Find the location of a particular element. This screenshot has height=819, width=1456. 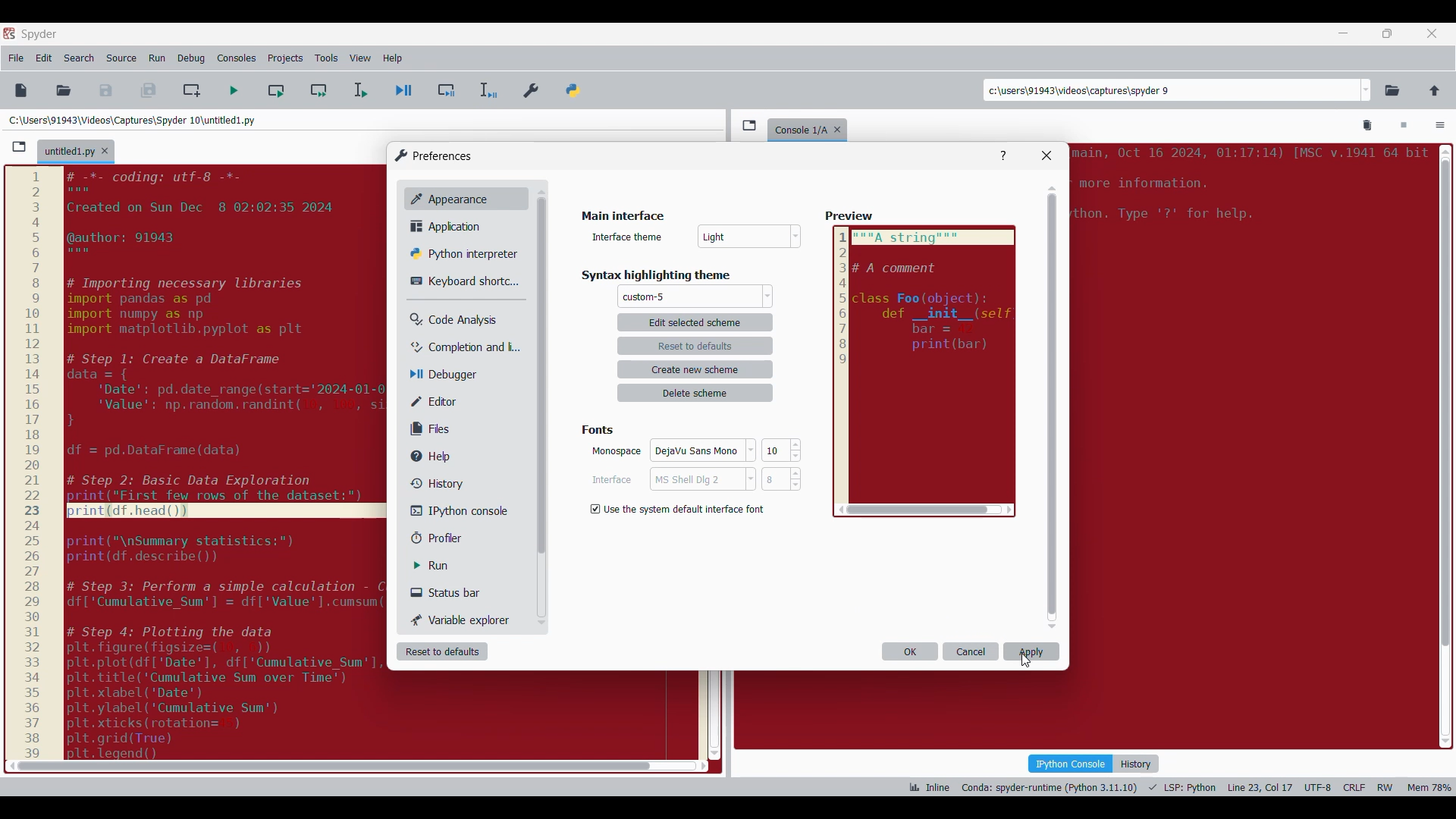

code is located at coordinates (227, 461).